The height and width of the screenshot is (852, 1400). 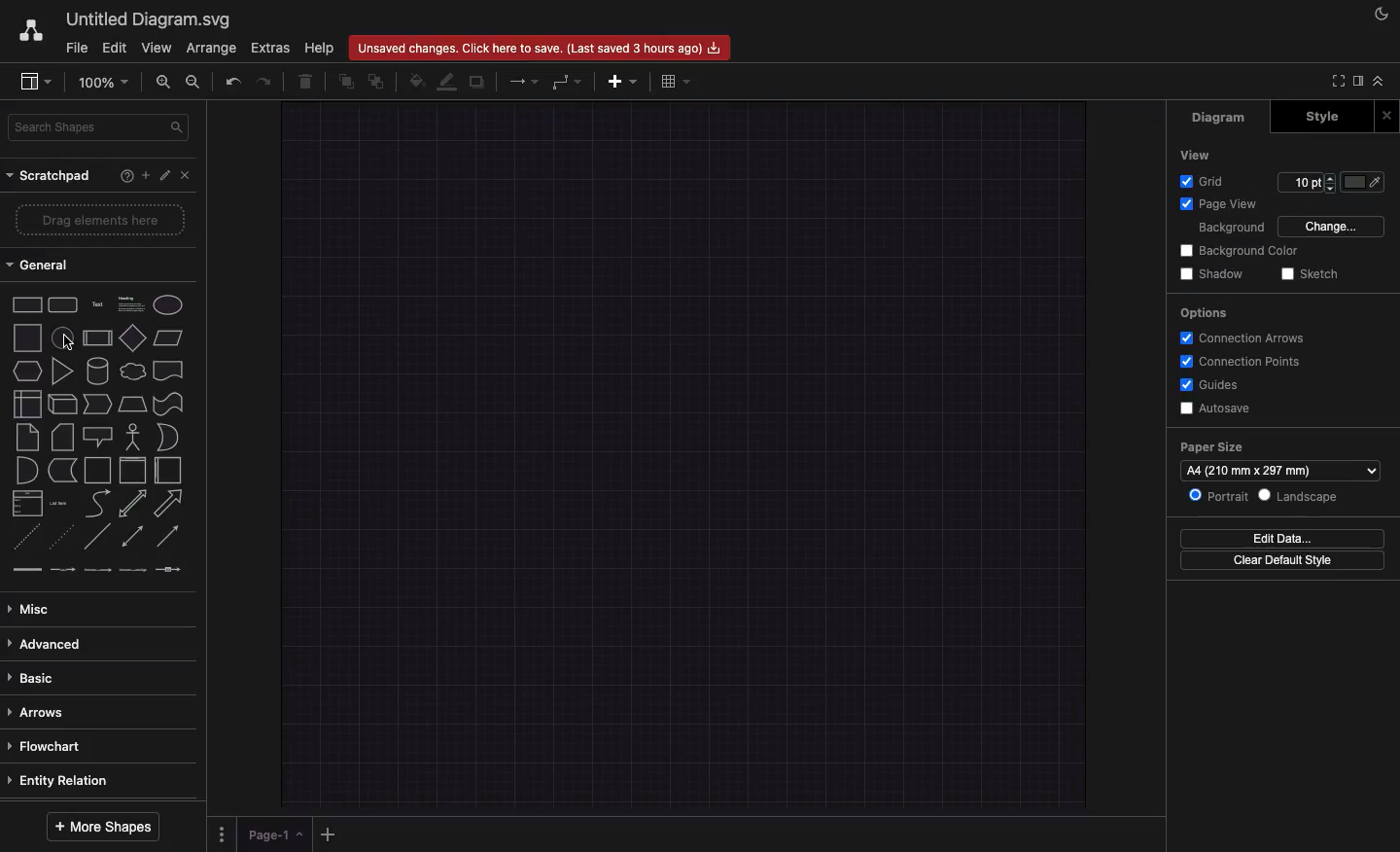 What do you see at coordinates (155, 49) in the screenshot?
I see `View` at bounding box center [155, 49].